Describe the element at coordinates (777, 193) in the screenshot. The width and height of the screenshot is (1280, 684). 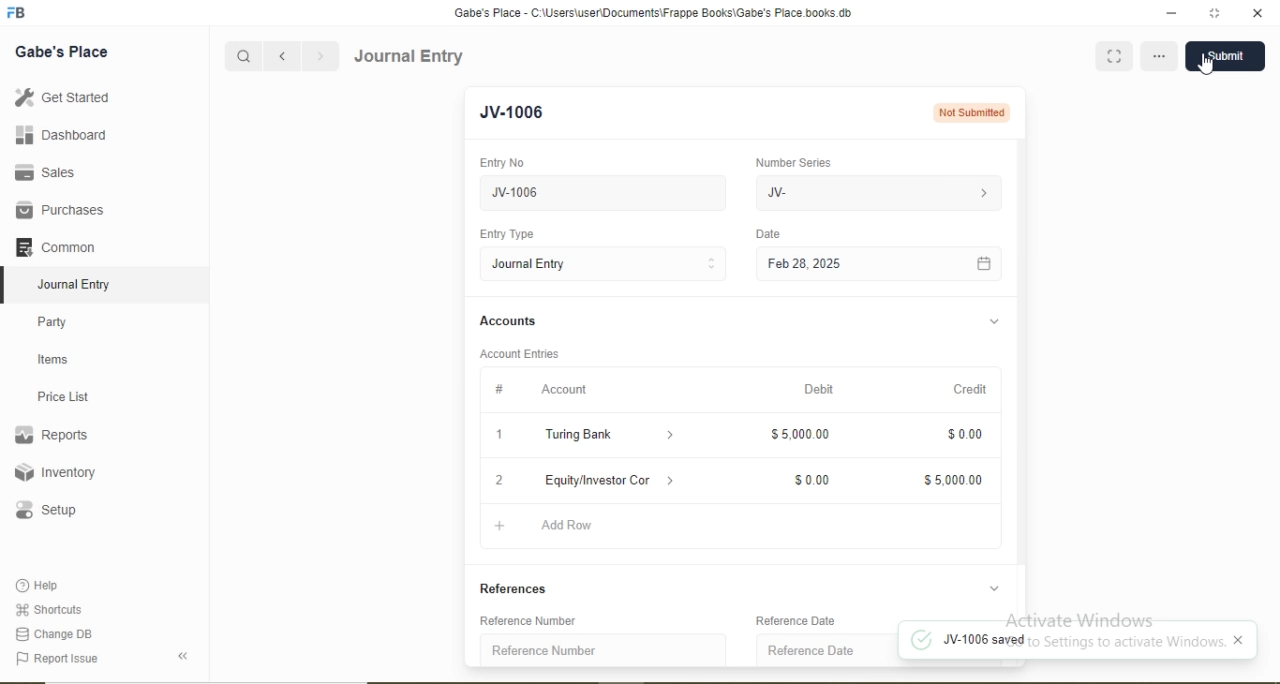
I see `JV-` at that location.